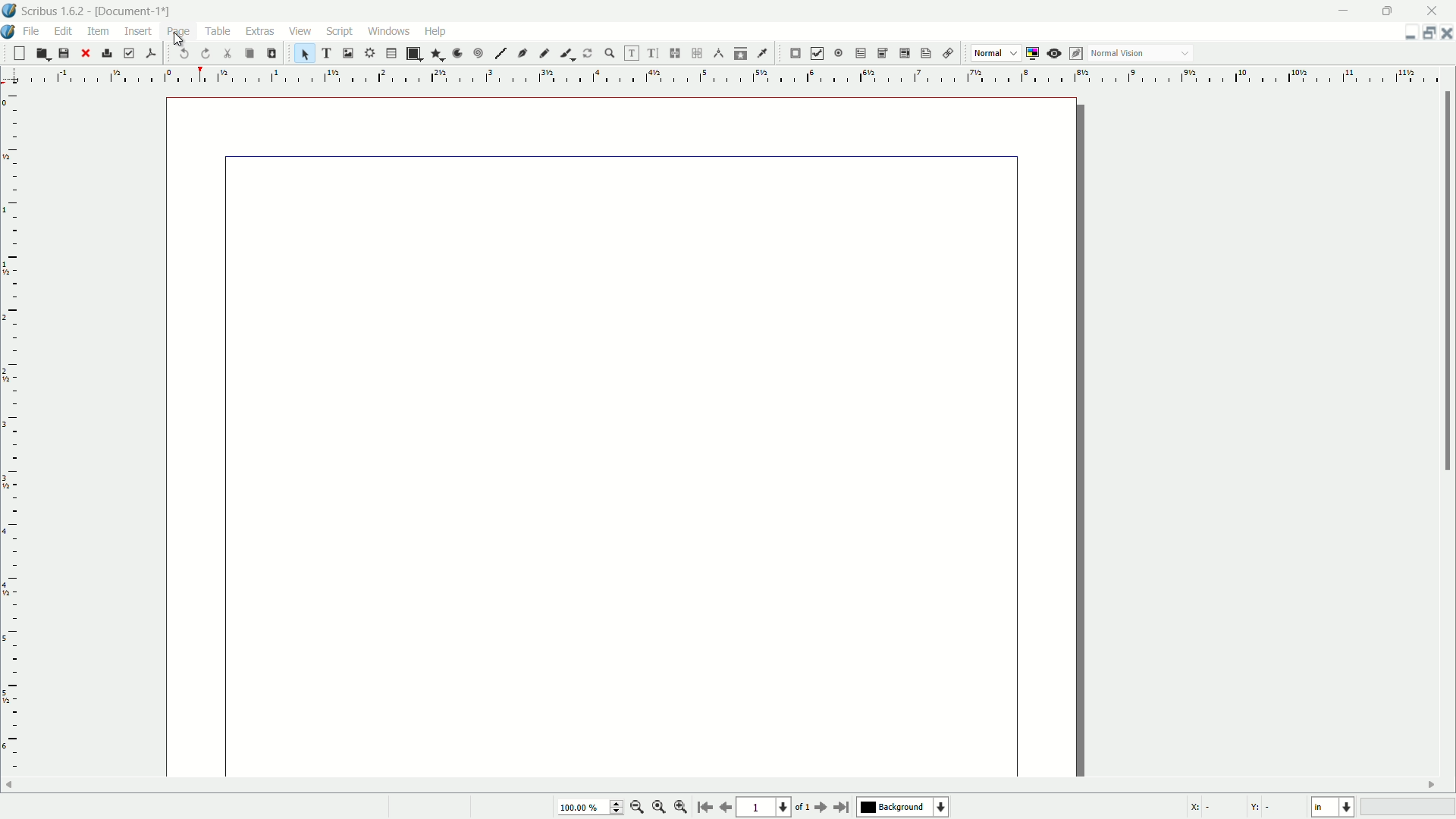 The width and height of the screenshot is (1456, 819). What do you see at coordinates (1345, 10) in the screenshot?
I see `minimize` at bounding box center [1345, 10].